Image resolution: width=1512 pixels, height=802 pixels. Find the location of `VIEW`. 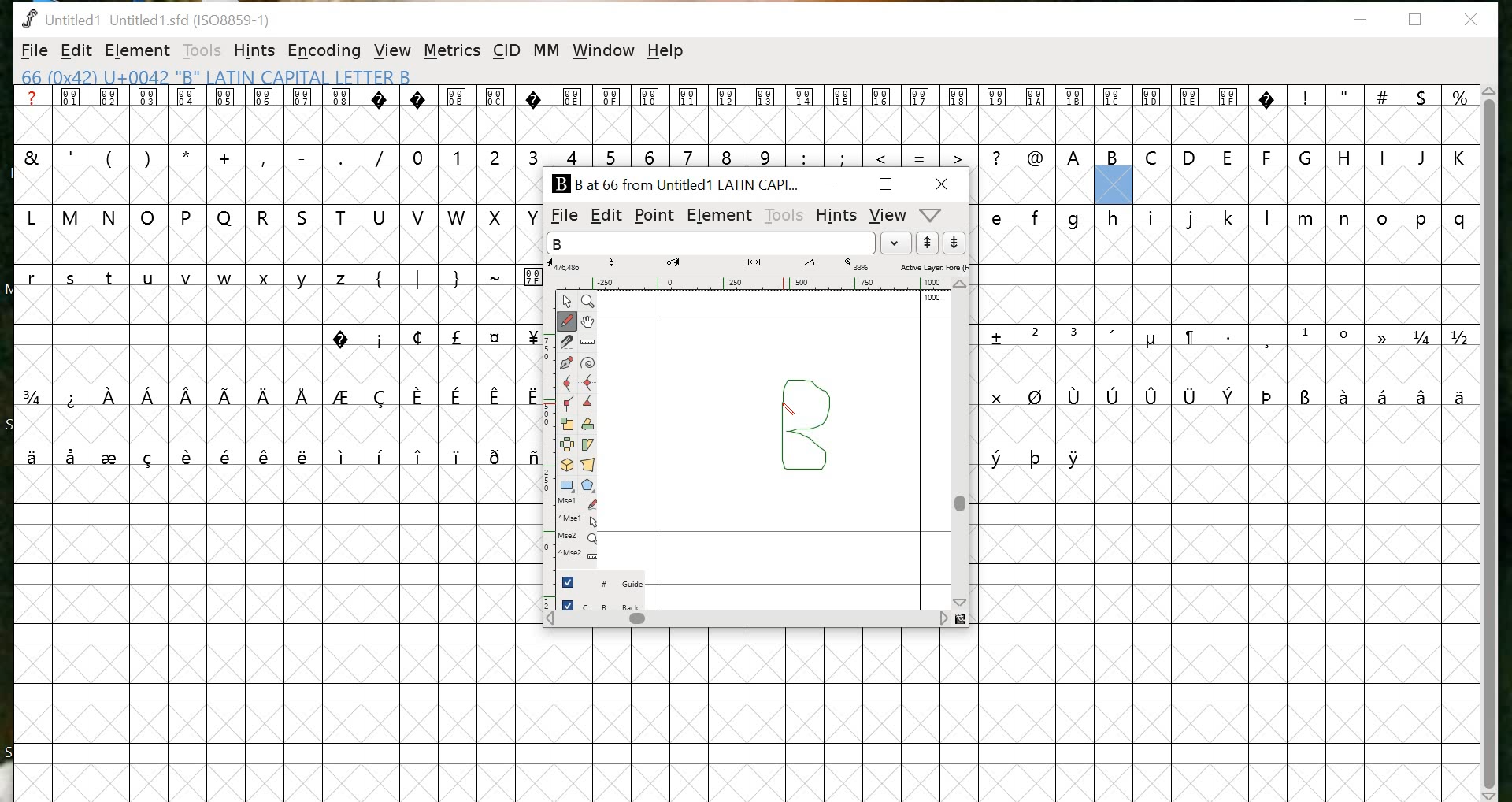

VIEW is located at coordinates (888, 215).